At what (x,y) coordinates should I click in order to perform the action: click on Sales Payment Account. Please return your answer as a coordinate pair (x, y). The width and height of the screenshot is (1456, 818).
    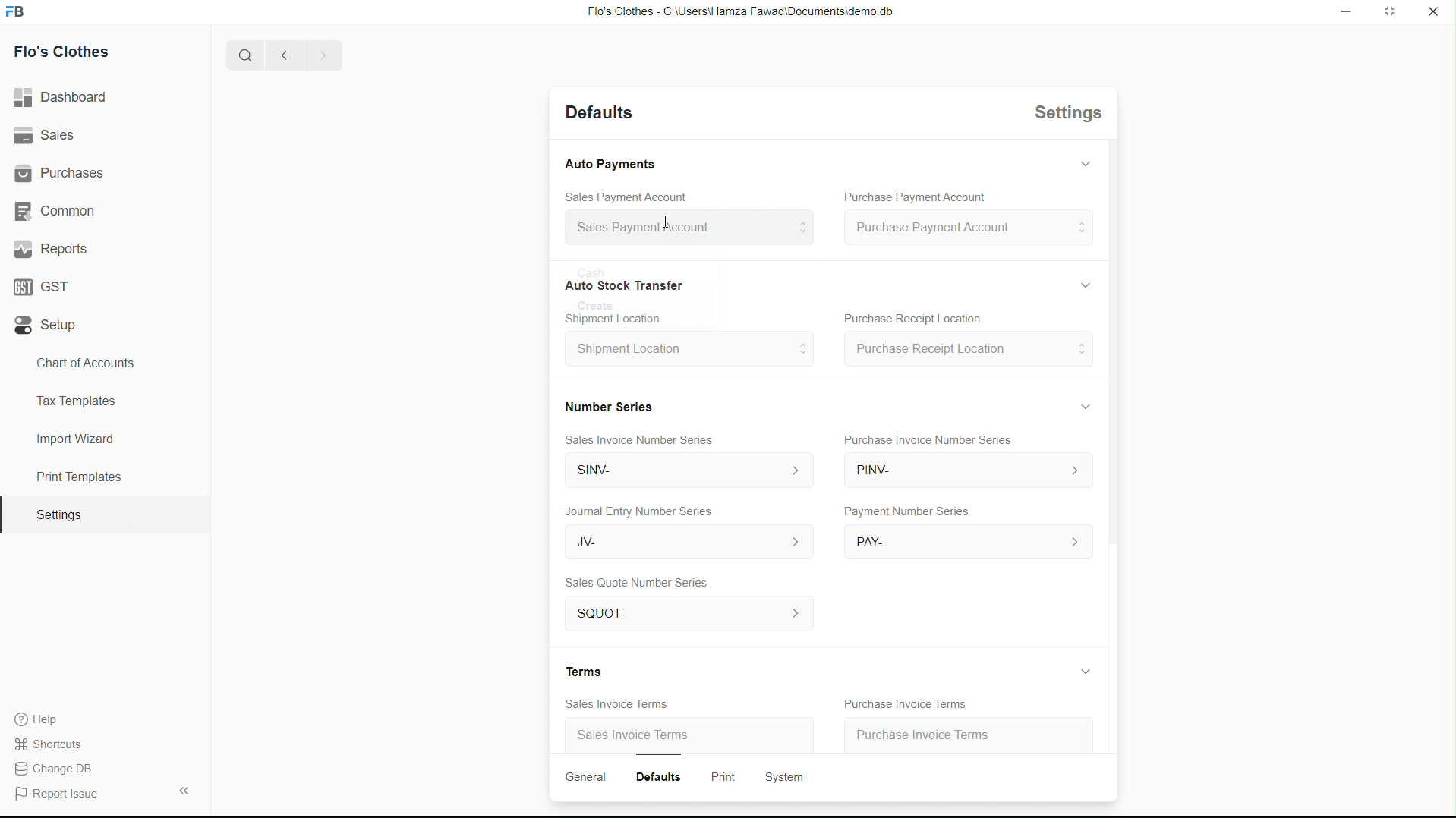
    Looking at the image, I should click on (630, 197).